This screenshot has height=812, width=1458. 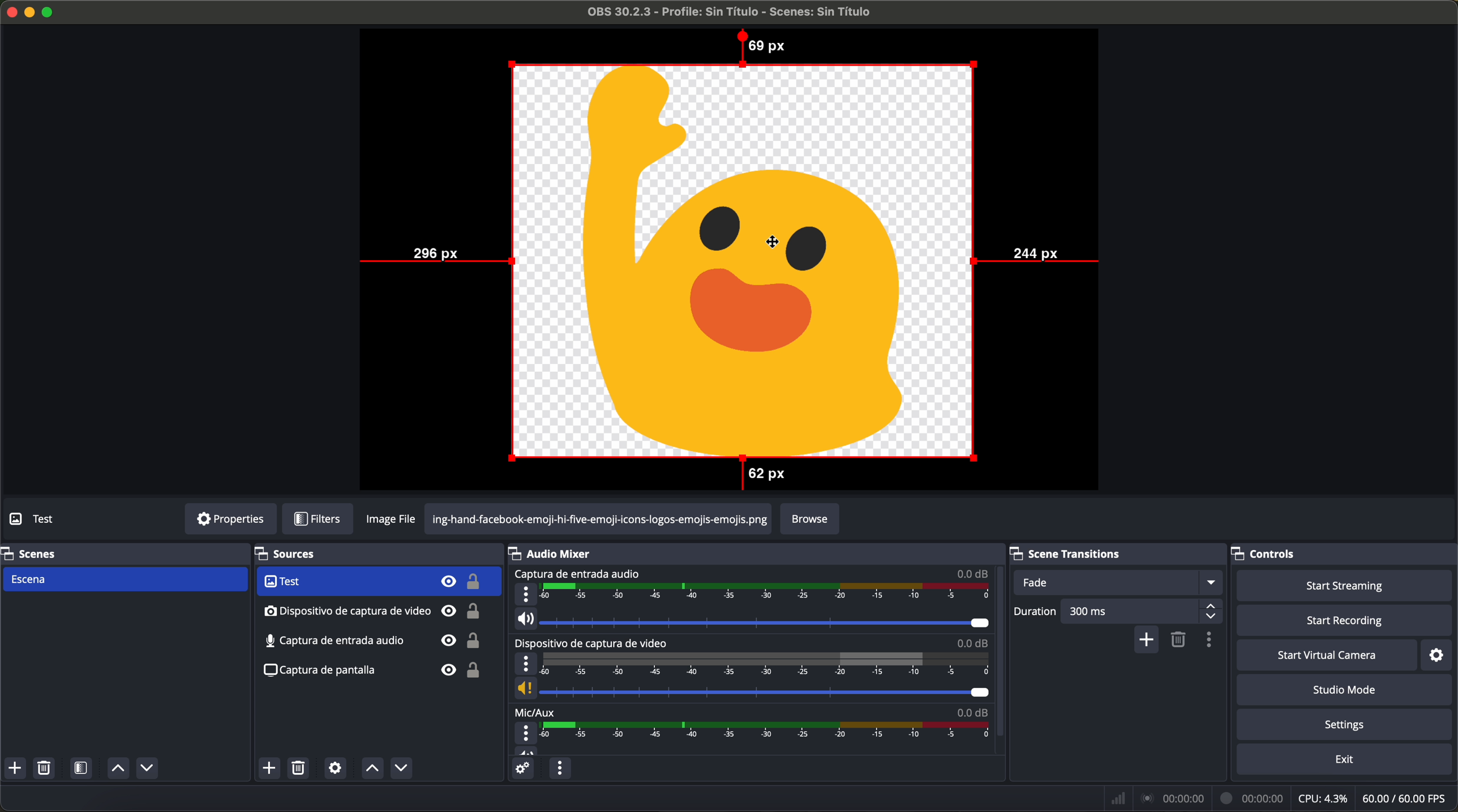 What do you see at coordinates (30, 12) in the screenshot?
I see `minimize program` at bounding box center [30, 12].